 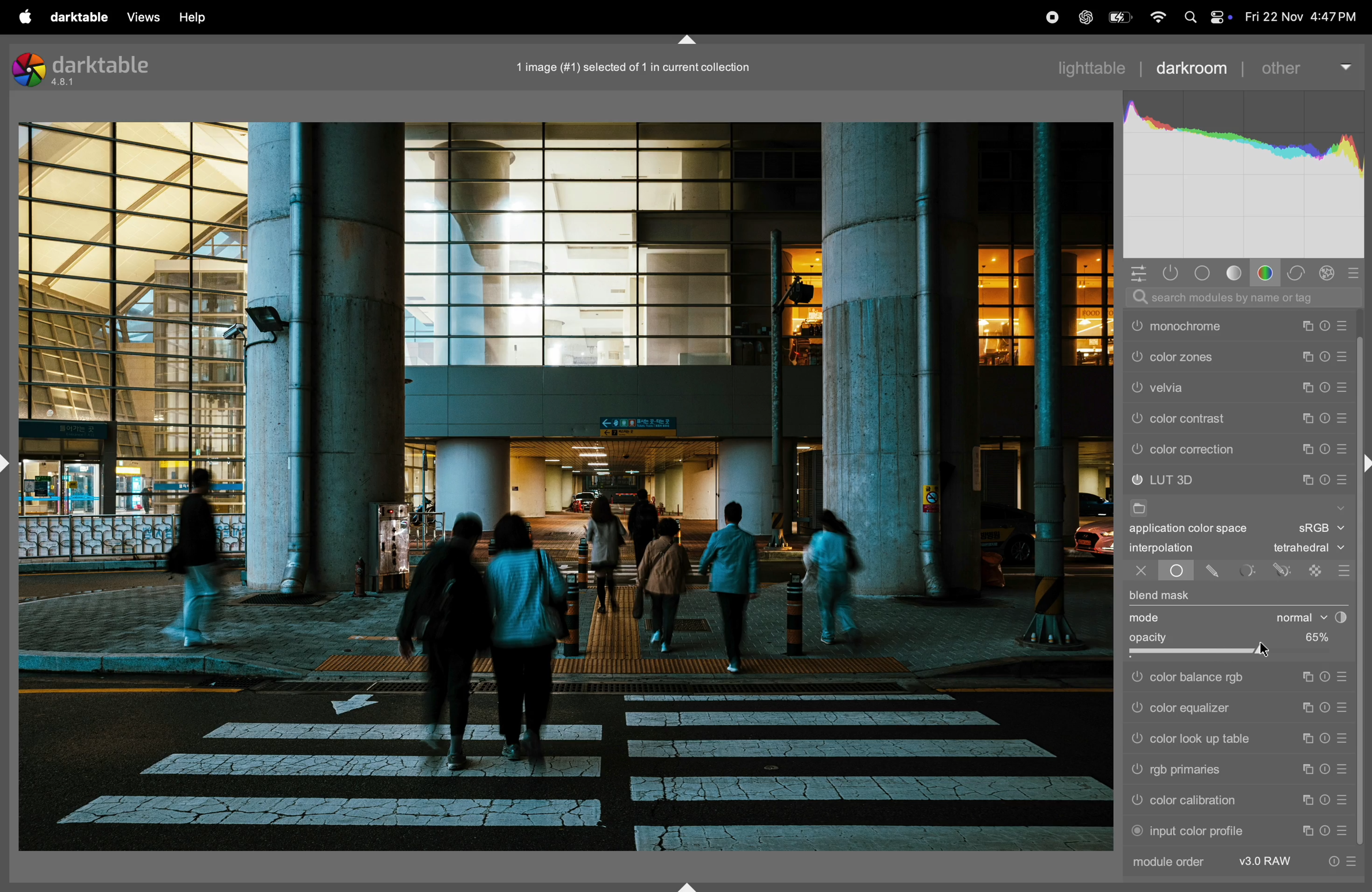 What do you see at coordinates (1134, 572) in the screenshot?
I see `close` at bounding box center [1134, 572].